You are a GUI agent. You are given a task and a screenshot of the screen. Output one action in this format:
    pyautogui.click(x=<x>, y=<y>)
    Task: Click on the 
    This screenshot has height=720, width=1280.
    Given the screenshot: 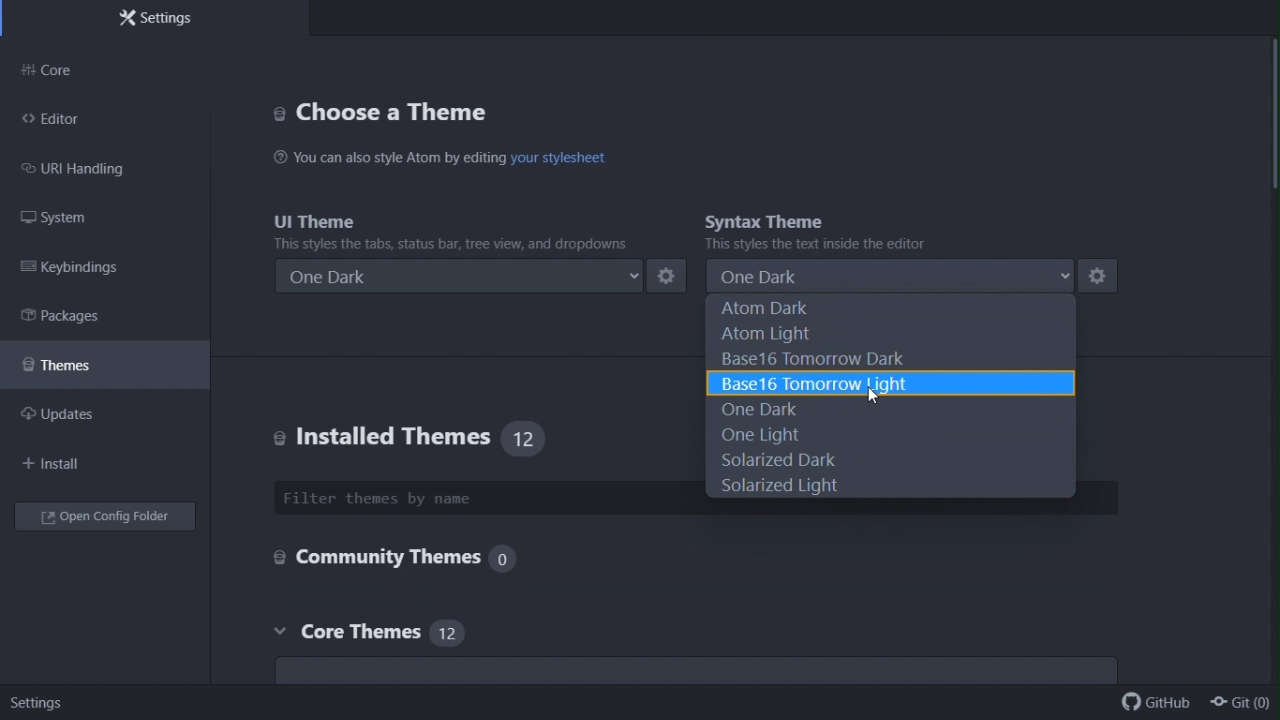 What is the action you would take?
    pyautogui.click(x=61, y=465)
    